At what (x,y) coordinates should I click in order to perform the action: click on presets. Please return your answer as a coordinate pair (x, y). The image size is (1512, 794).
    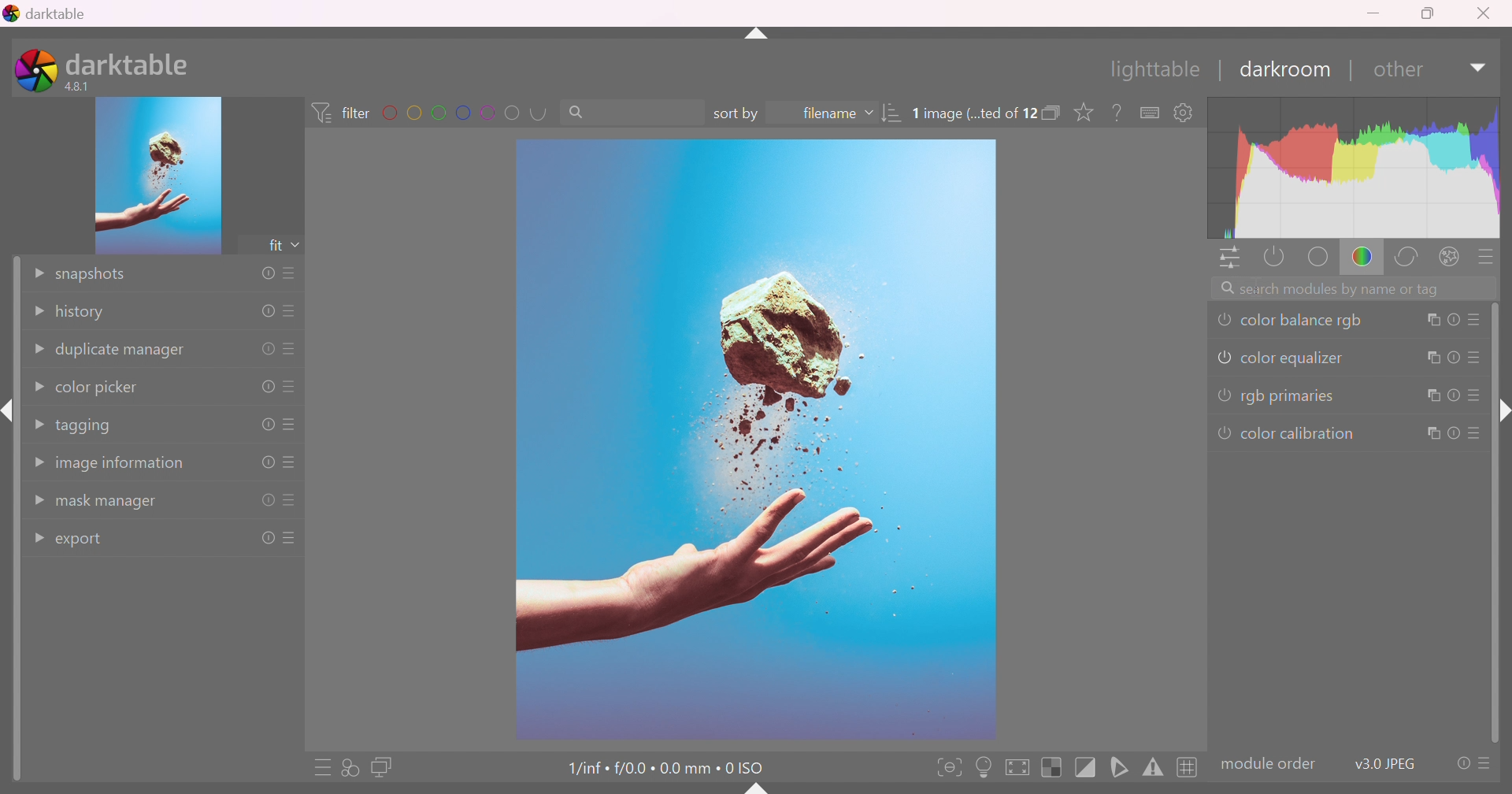
    Looking at the image, I should click on (1477, 319).